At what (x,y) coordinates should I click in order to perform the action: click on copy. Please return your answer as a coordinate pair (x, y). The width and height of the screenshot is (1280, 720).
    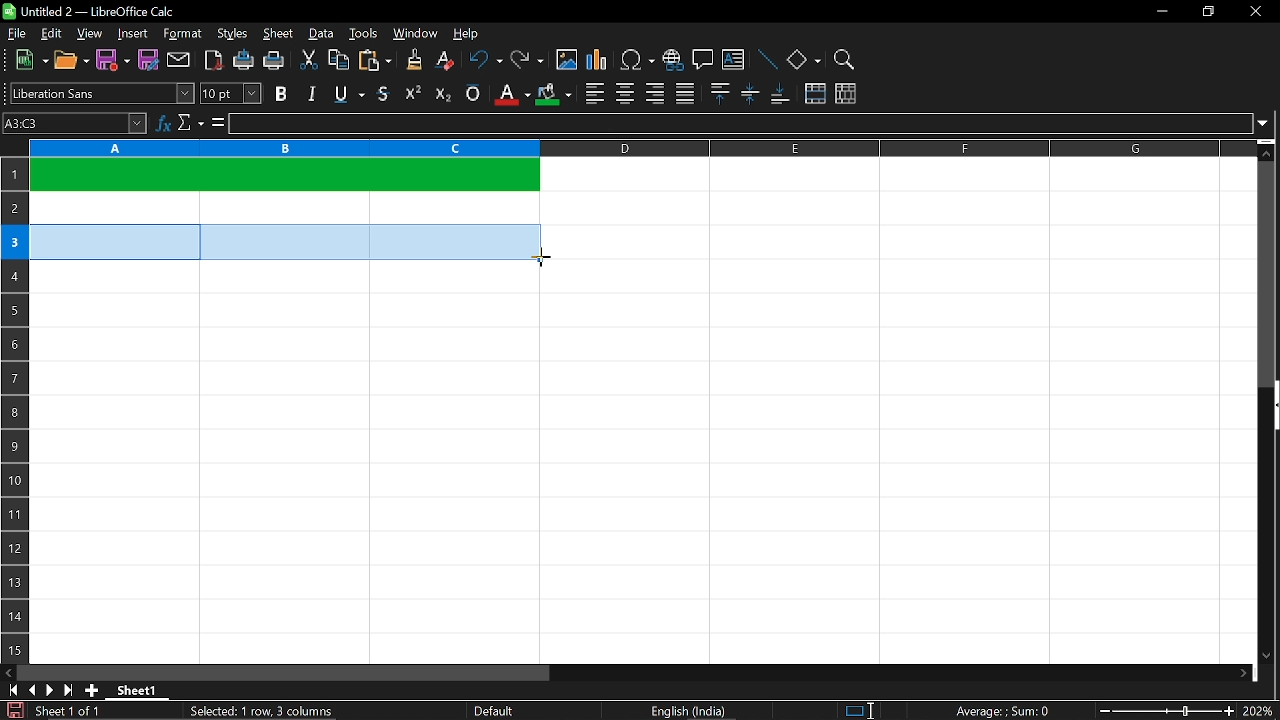
    Looking at the image, I should click on (339, 60).